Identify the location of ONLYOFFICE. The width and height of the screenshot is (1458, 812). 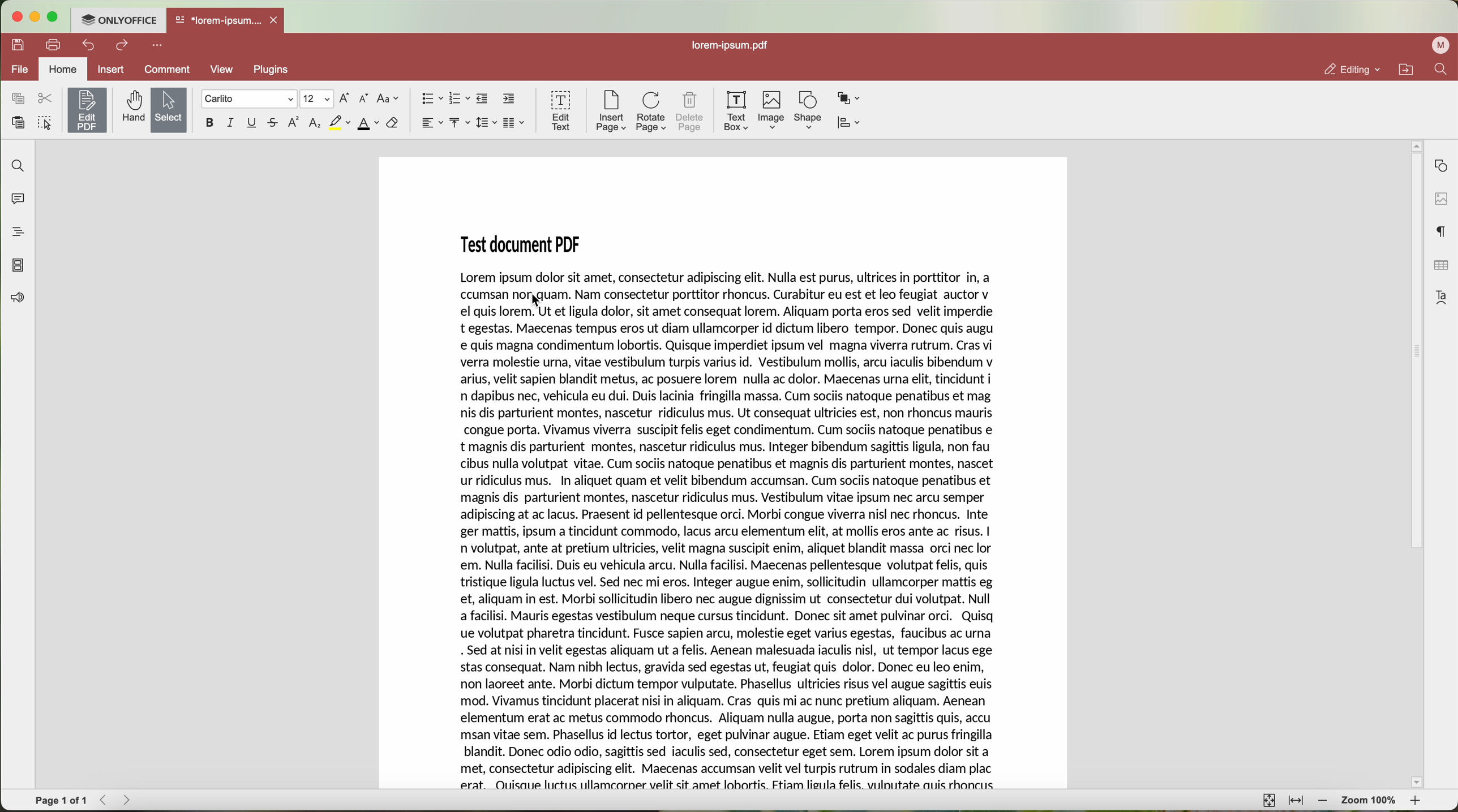
(120, 21).